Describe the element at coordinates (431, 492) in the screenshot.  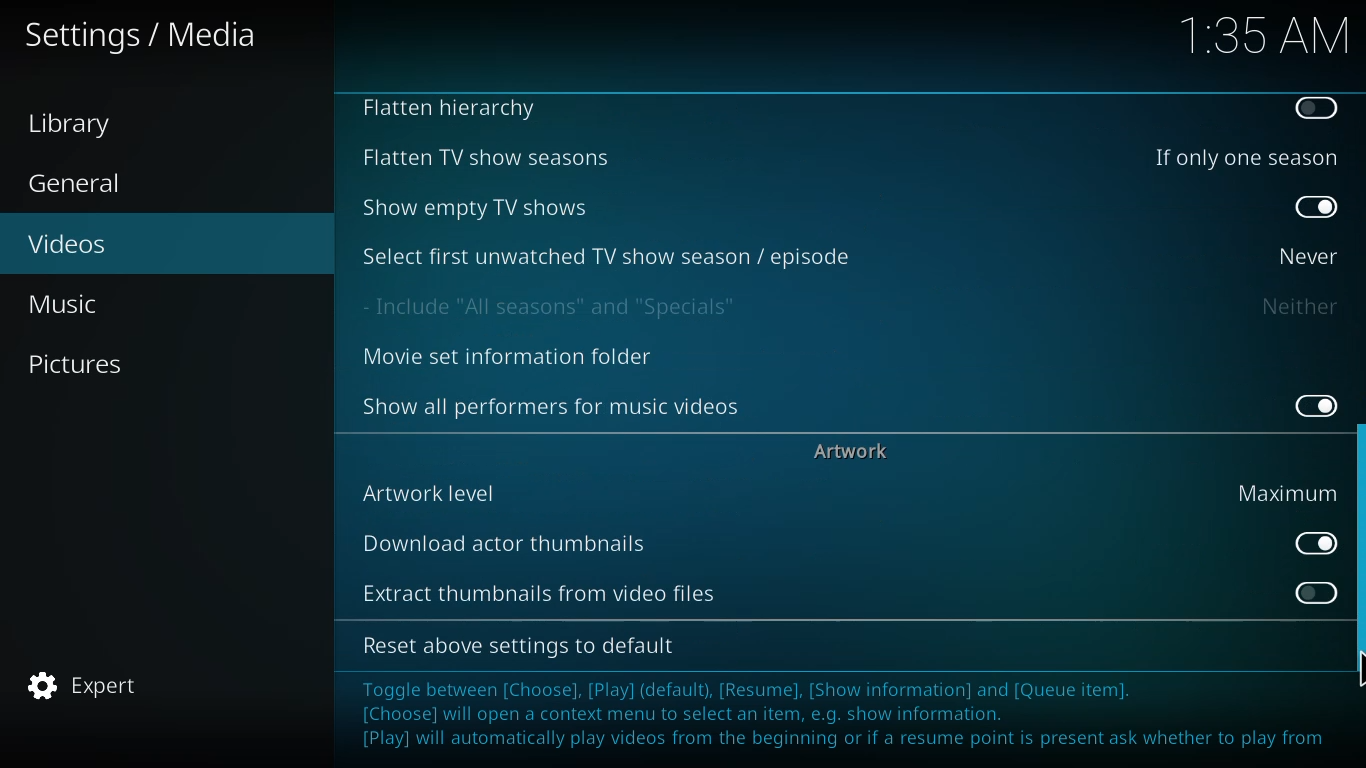
I see `artwork level` at that location.